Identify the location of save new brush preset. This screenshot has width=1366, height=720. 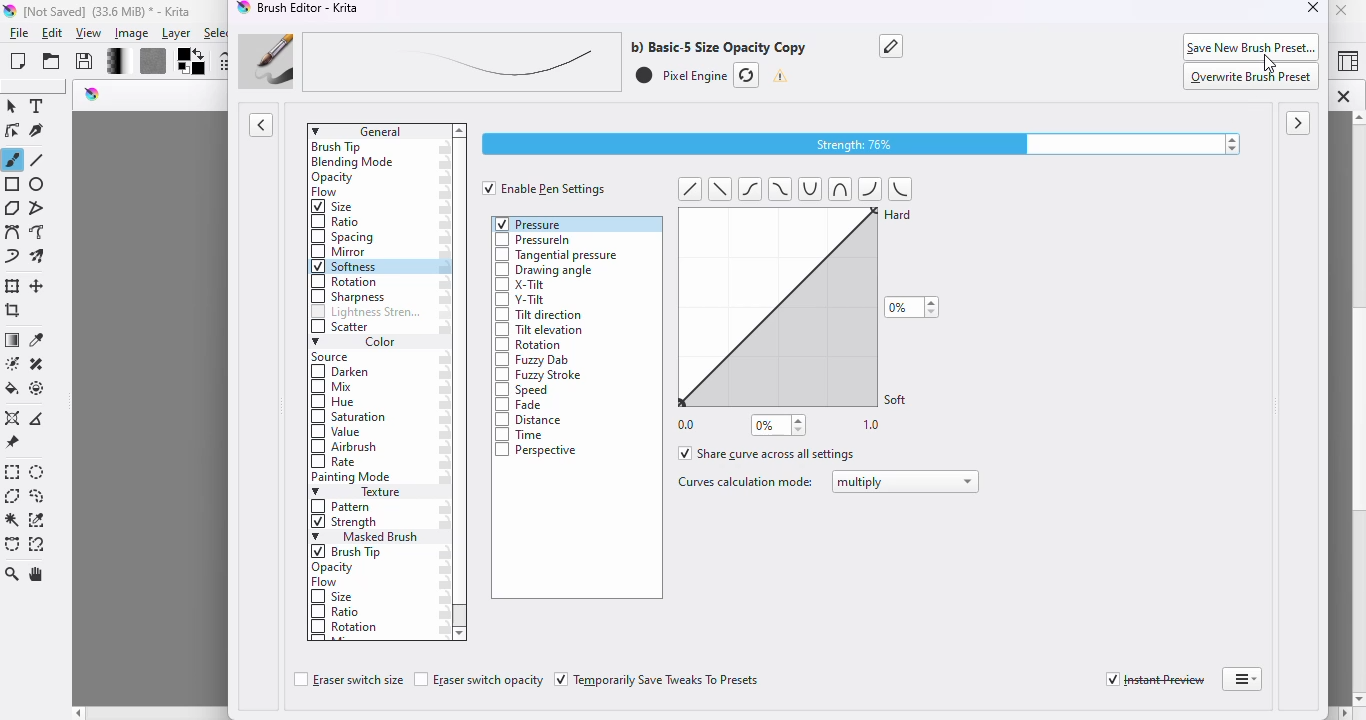
(1253, 46).